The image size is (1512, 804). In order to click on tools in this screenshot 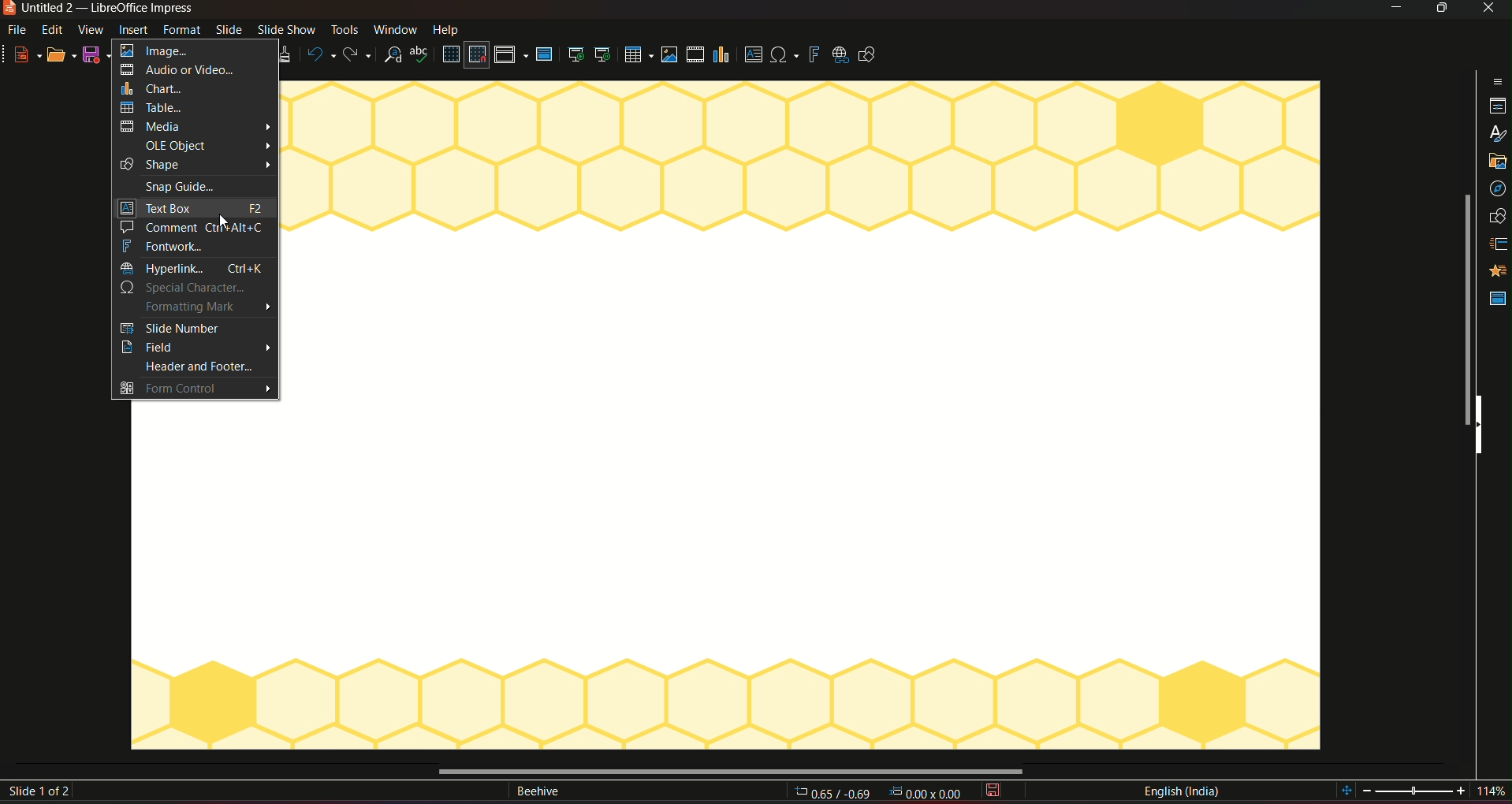, I will do `click(344, 31)`.